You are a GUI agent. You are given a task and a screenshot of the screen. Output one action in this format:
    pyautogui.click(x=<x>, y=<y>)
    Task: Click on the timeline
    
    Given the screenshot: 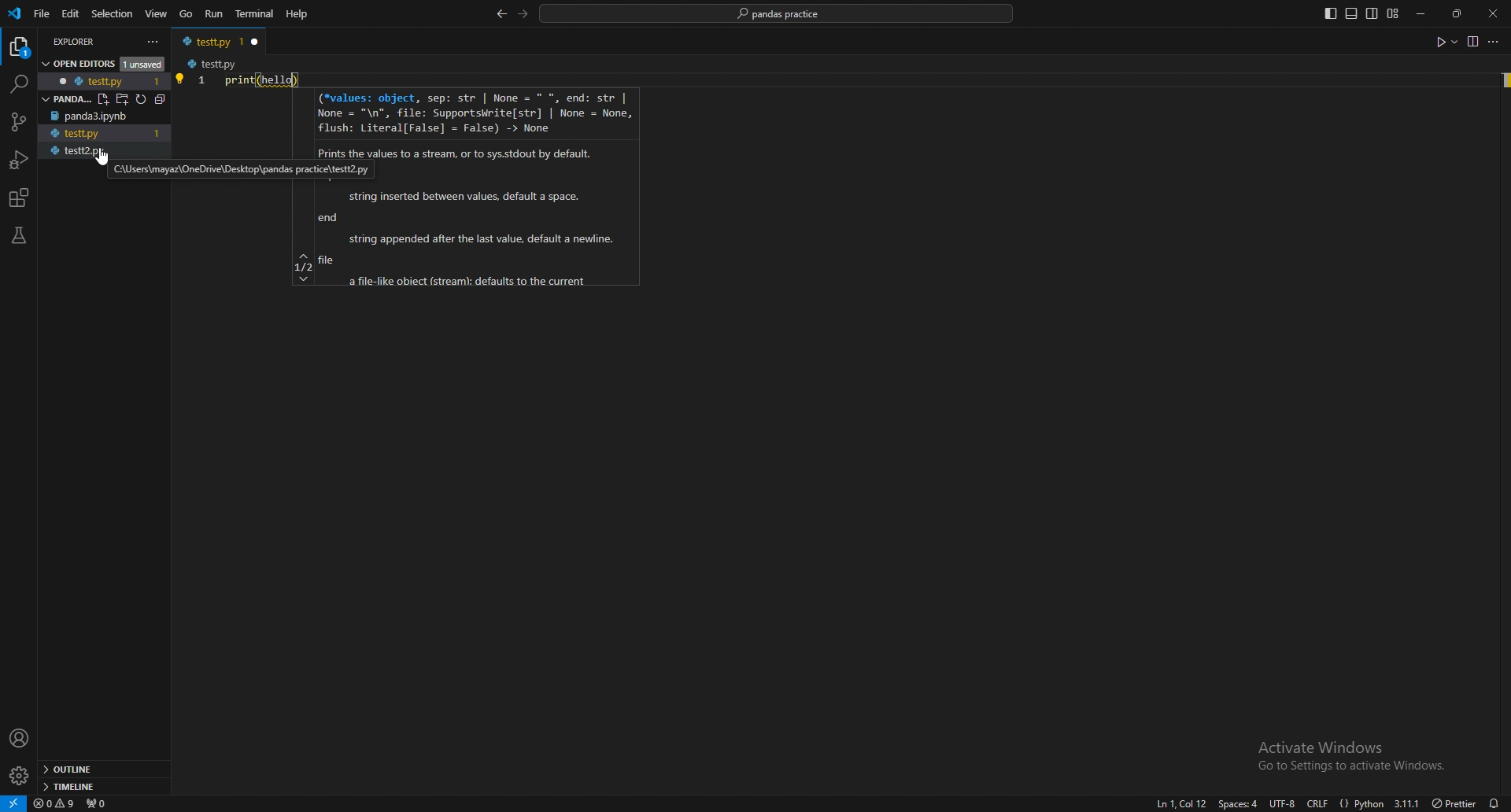 What is the action you would take?
    pyautogui.click(x=102, y=785)
    